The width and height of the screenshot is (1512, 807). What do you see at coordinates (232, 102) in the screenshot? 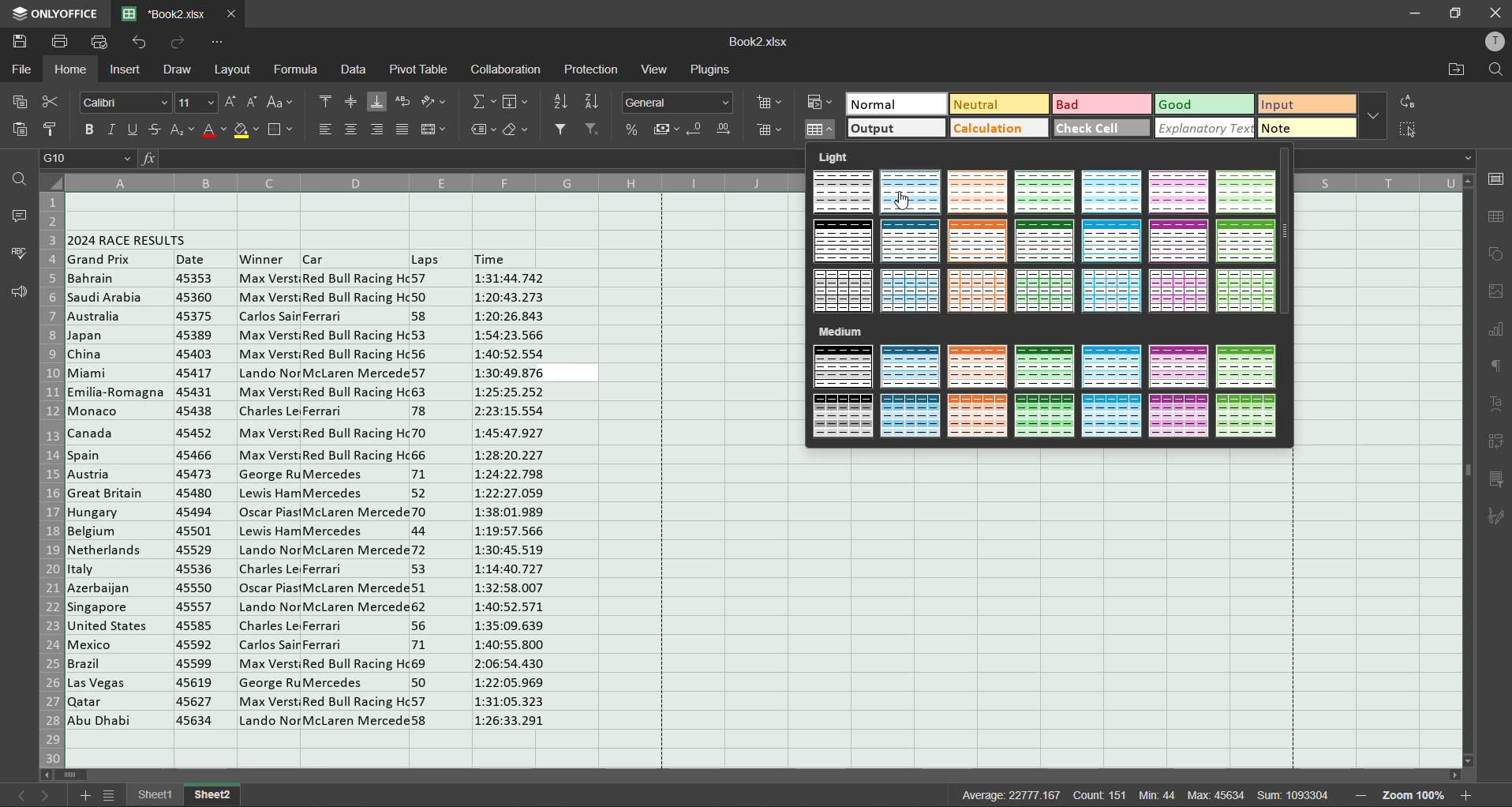
I see `increment size` at bounding box center [232, 102].